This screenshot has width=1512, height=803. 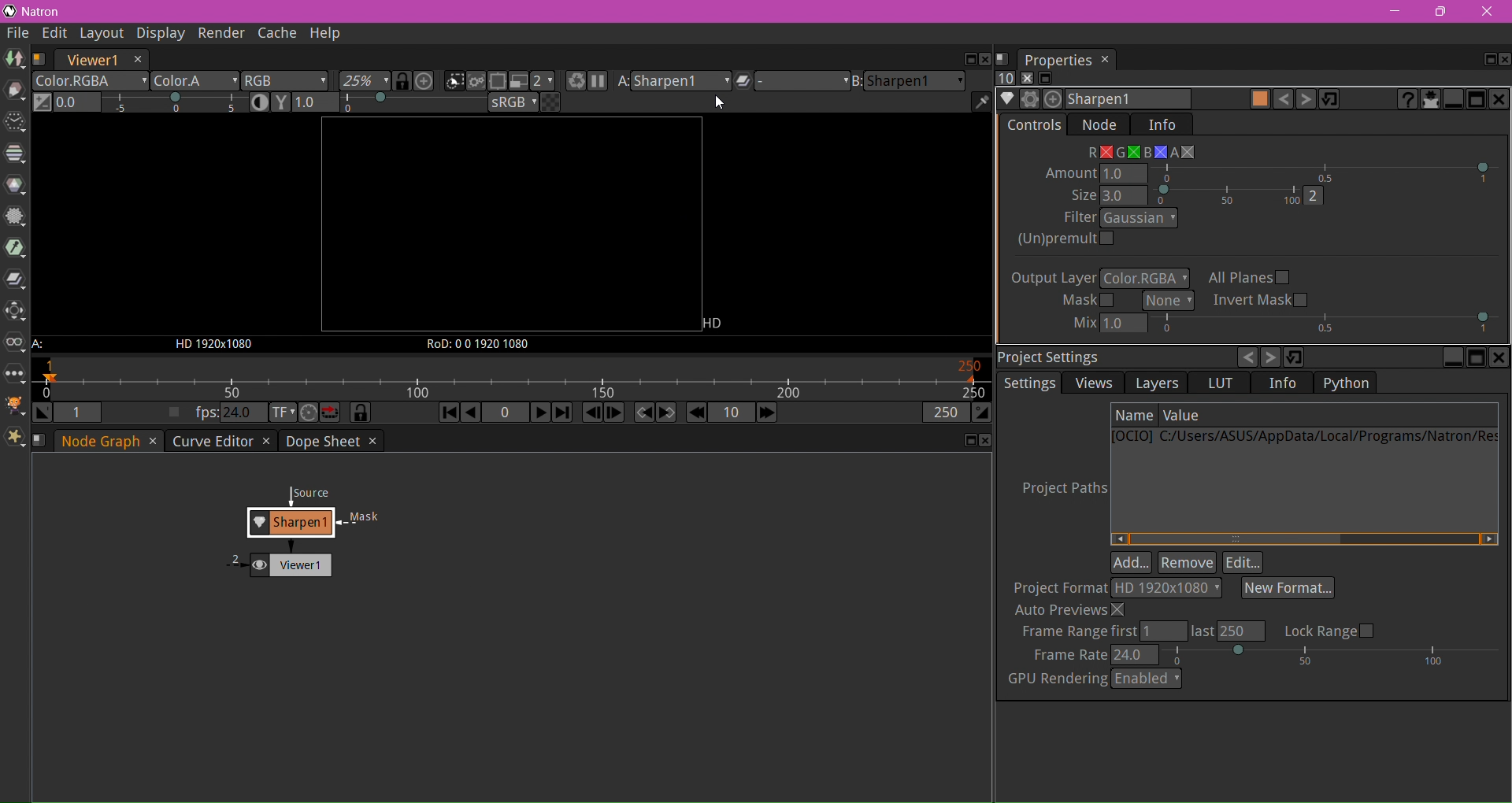 What do you see at coordinates (1183, 152) in the screenshot?
I see `NatronOfxParamProcessA` at bounding box center [1183, 152].